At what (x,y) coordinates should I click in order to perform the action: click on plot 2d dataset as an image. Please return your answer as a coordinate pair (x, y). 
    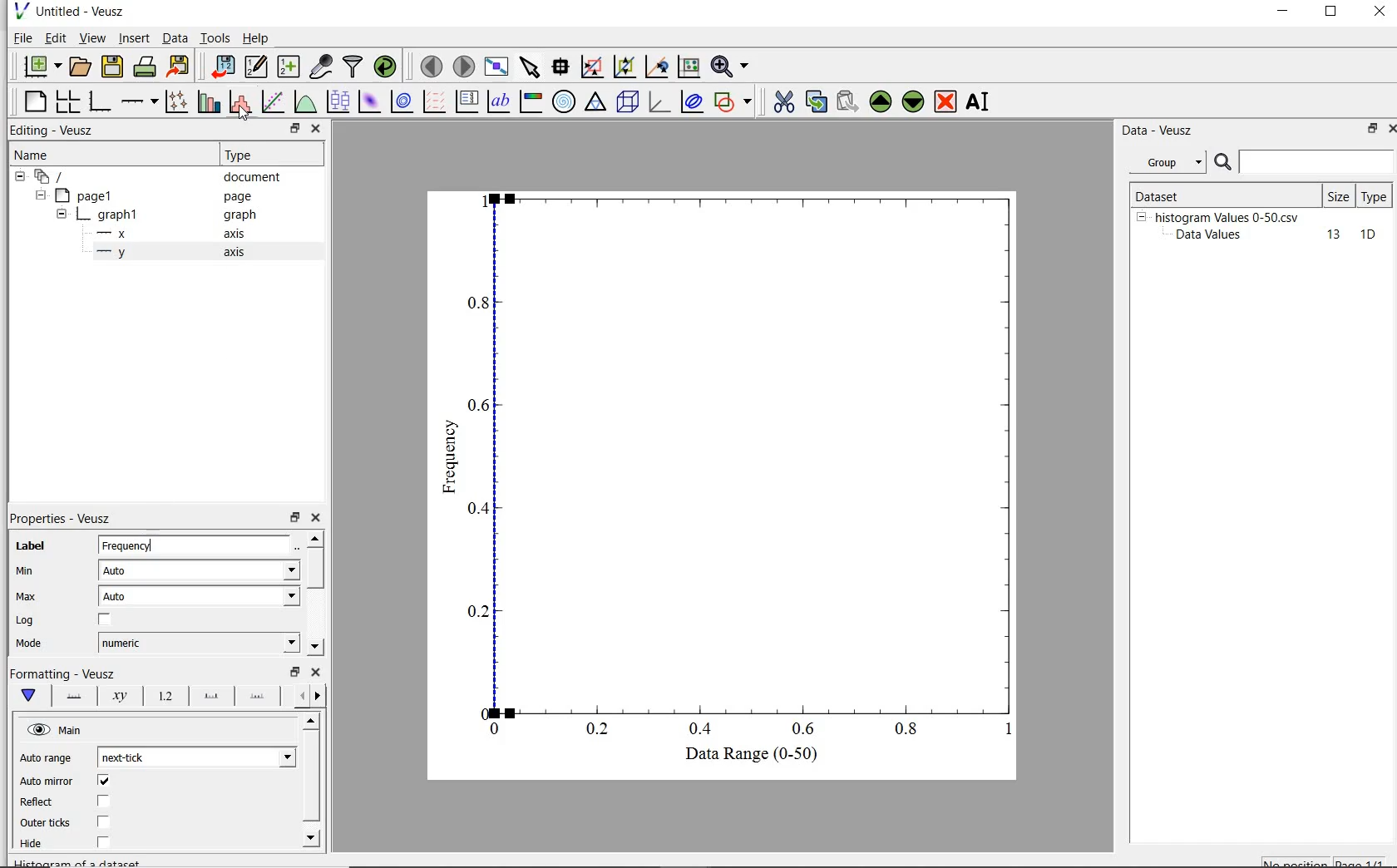
    Looking at the image, I should click on (369, 101).